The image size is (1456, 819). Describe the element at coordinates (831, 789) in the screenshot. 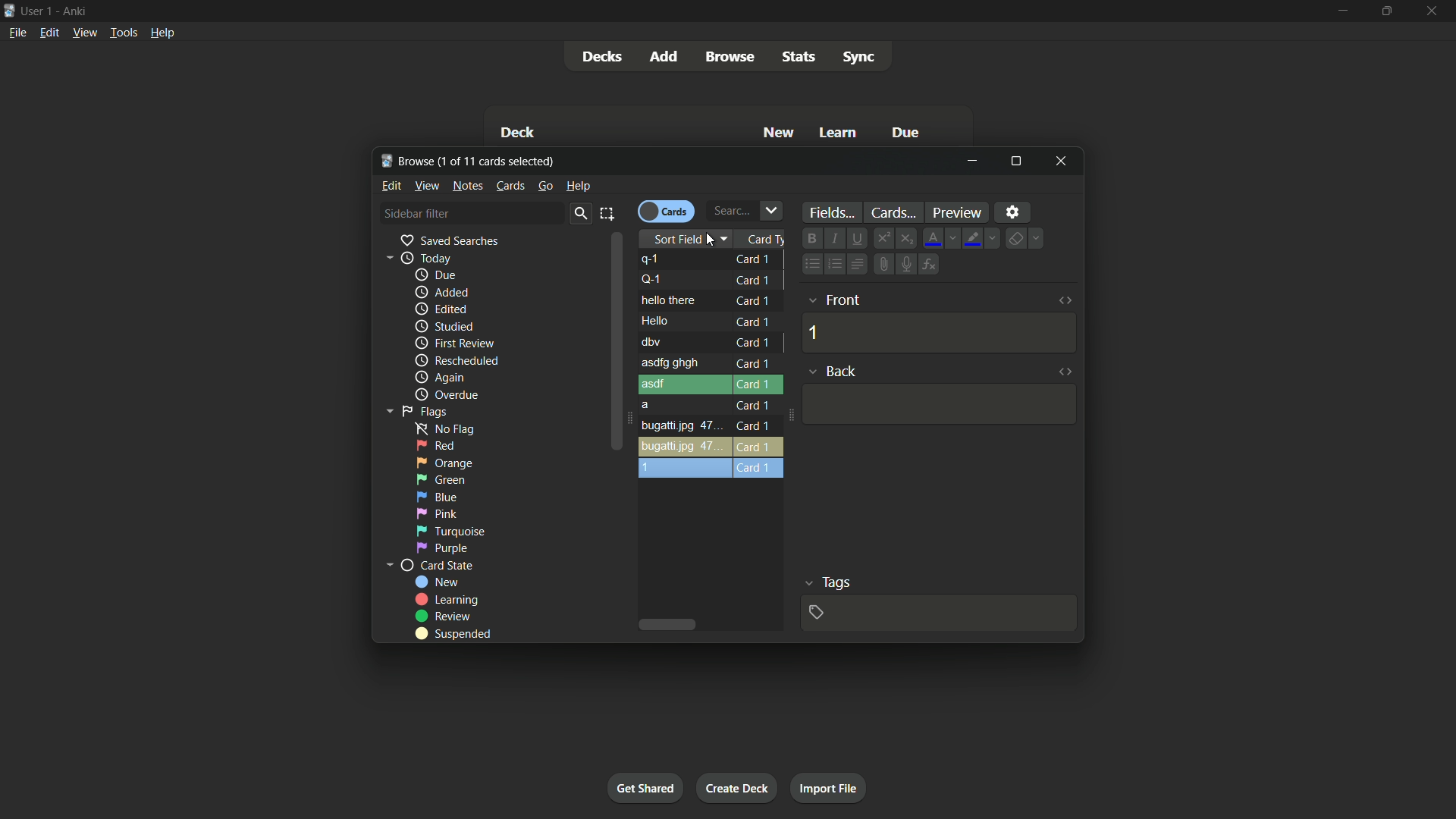

I see `import file` at that location.